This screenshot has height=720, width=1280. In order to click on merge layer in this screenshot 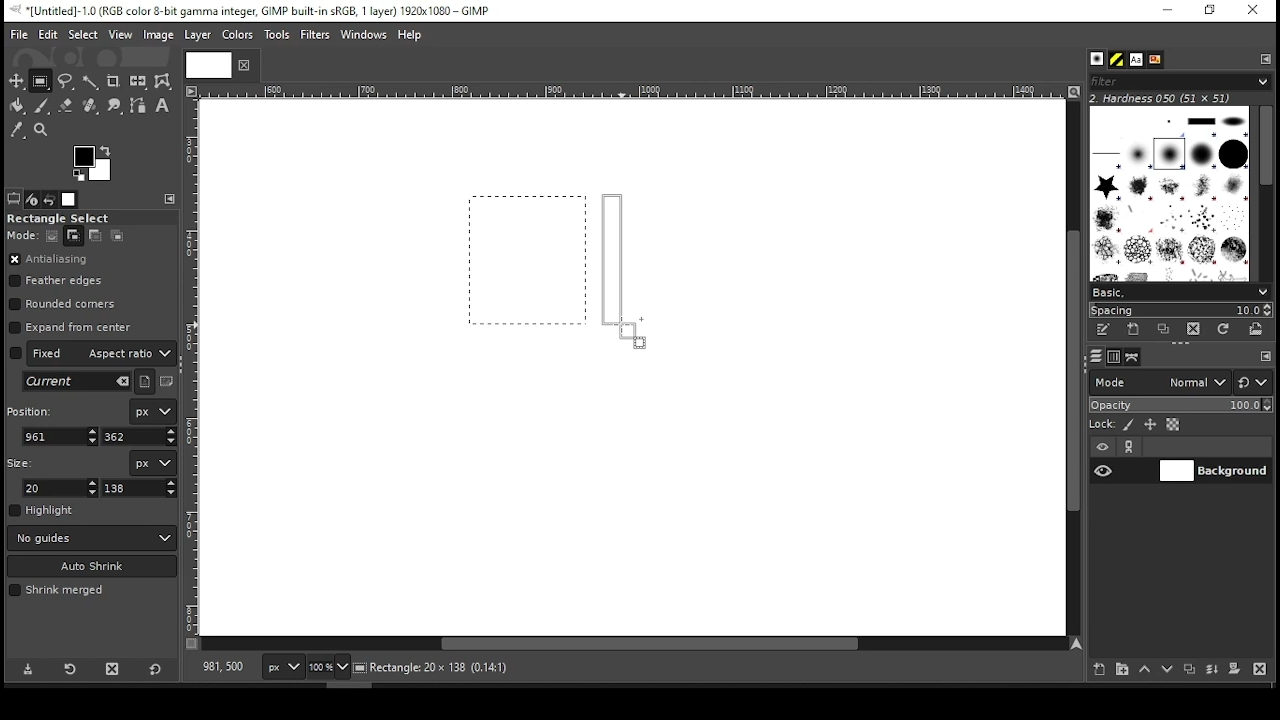, I will do `click(1212, 670)`.